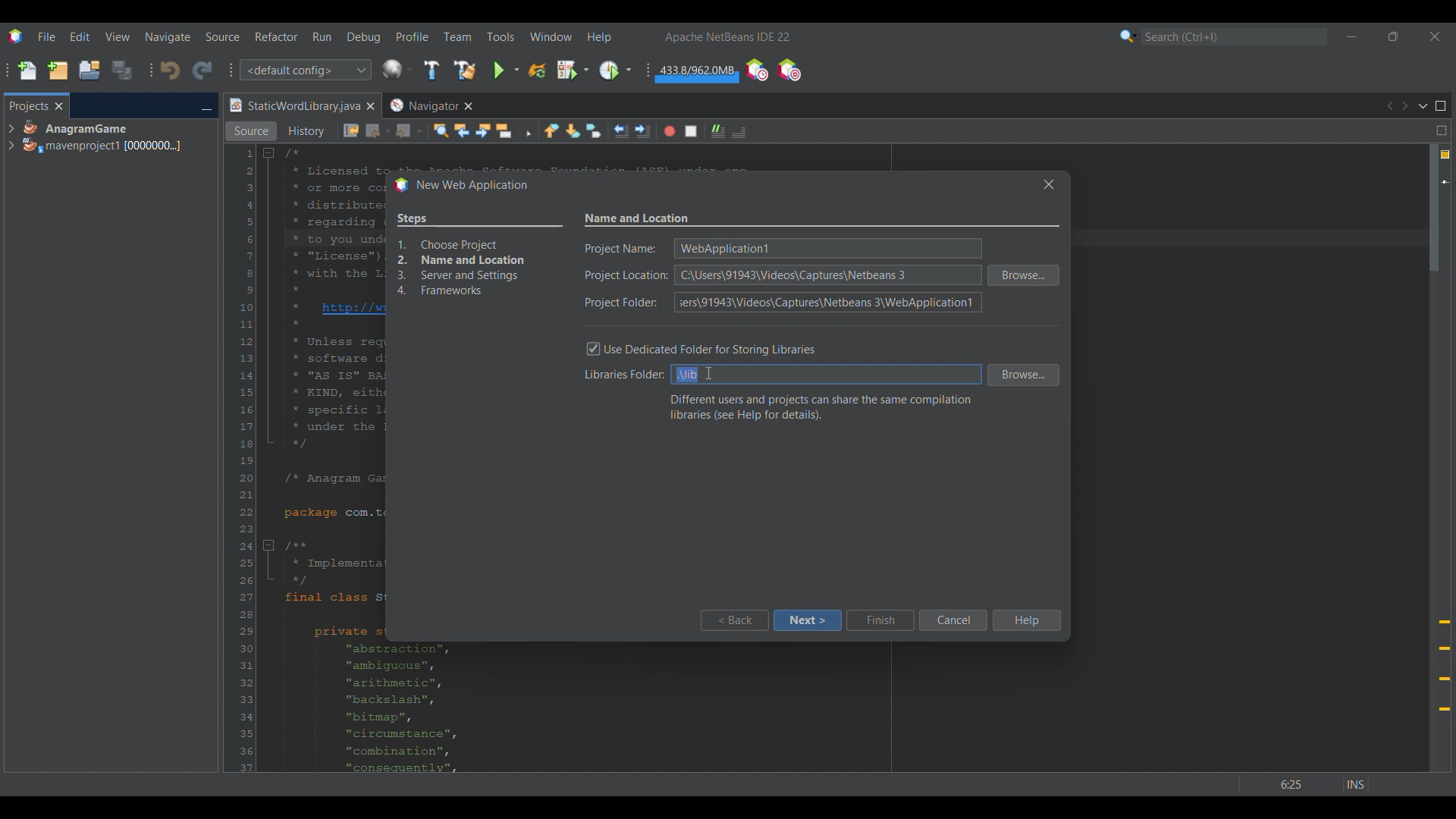 This screenshot has width=1456, height=819. I want to click on , so click(705, 373).